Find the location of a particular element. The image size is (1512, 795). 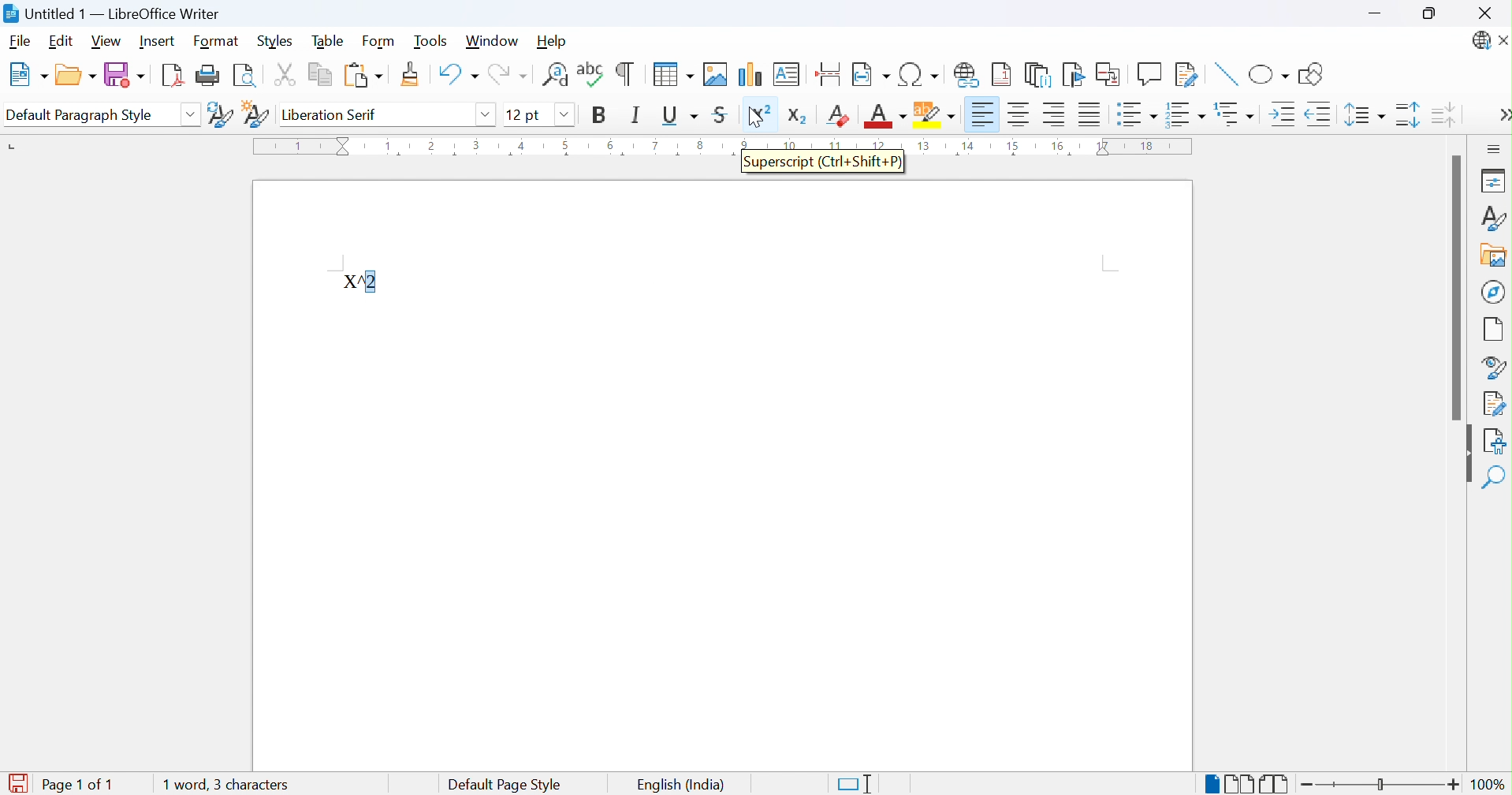

More is located at coordinates (1503, 114).